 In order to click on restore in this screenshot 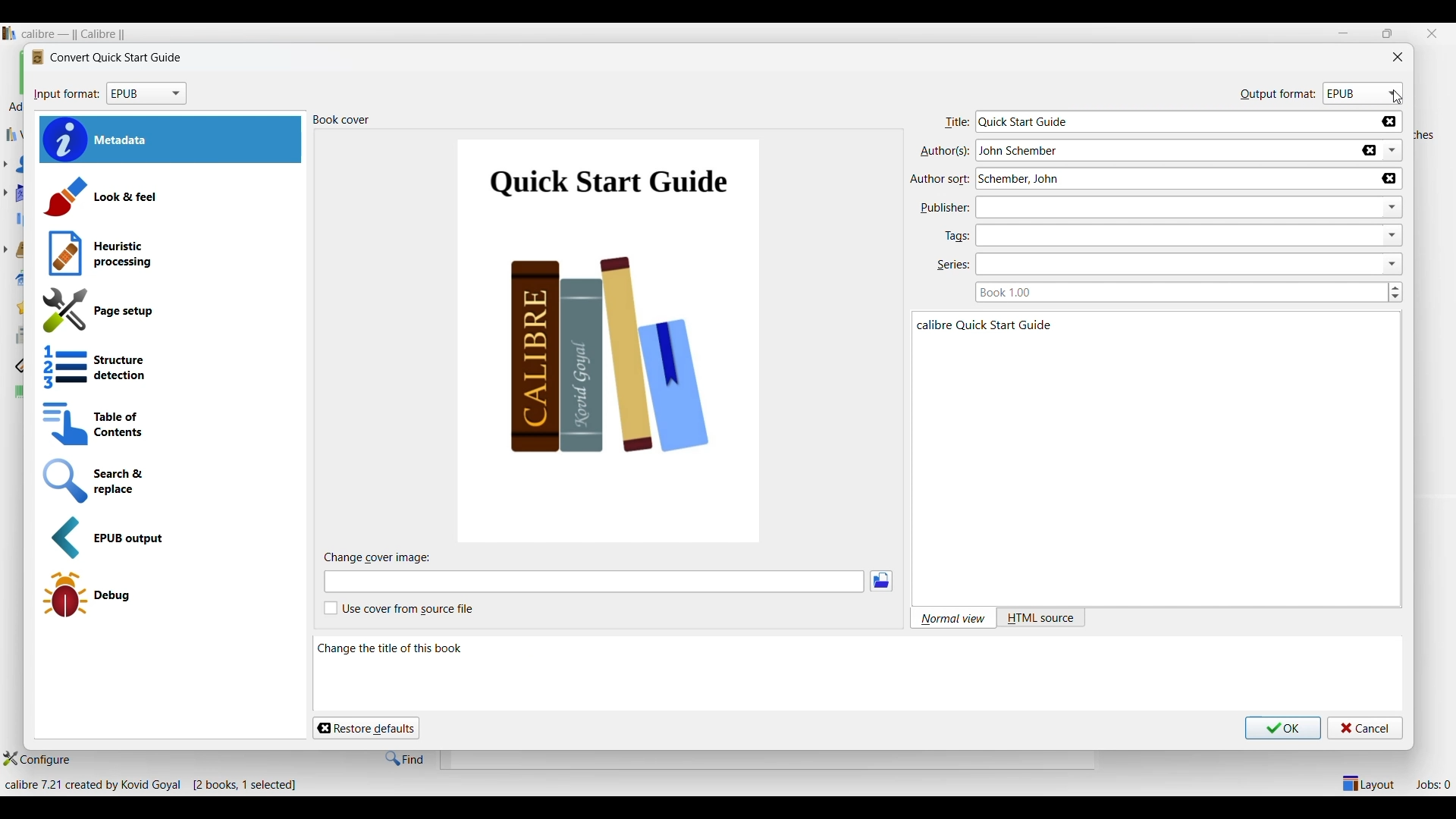, I will do `click(1388, 33)`.